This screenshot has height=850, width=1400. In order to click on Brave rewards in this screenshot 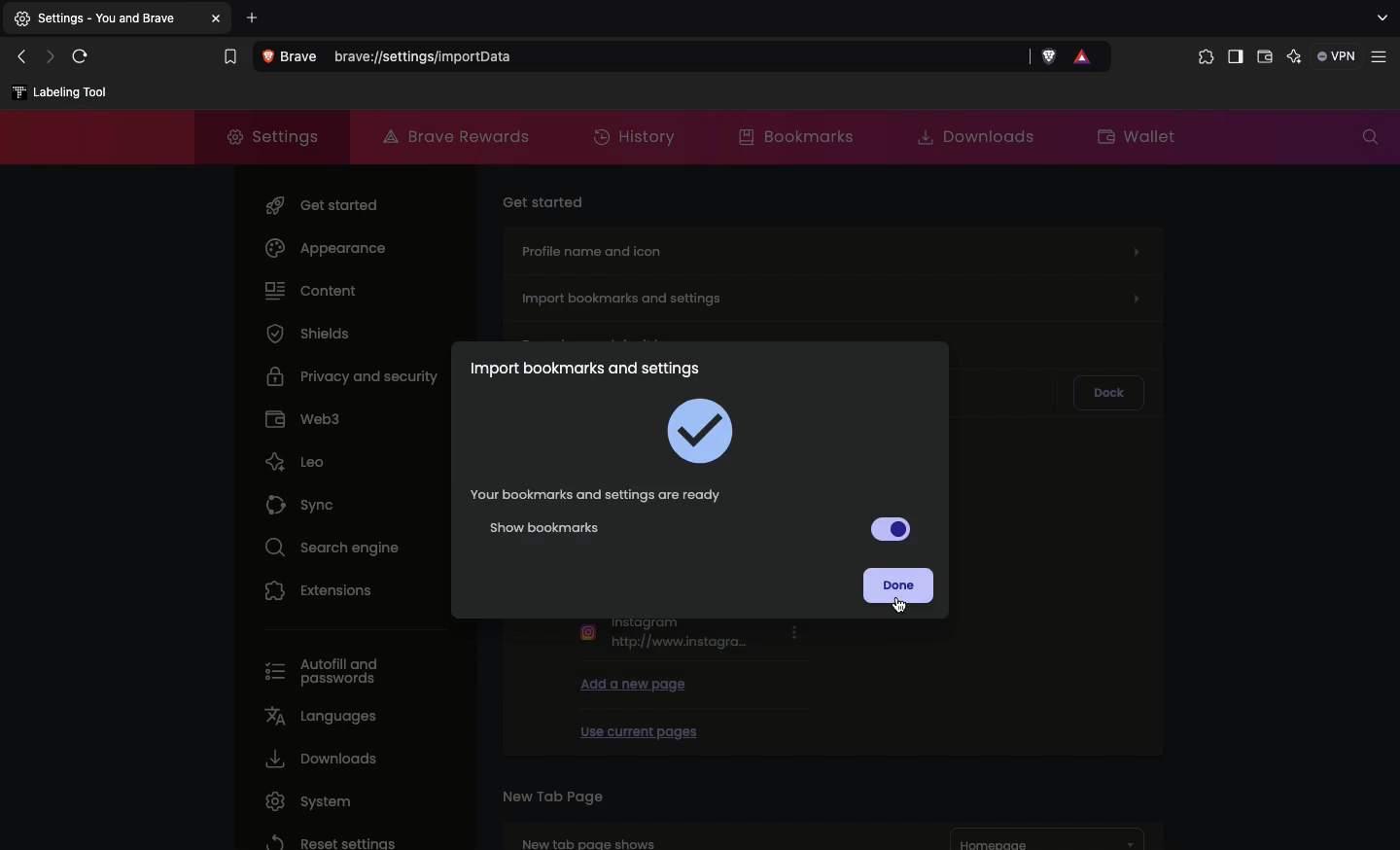, I will do `click(459, 136)`.